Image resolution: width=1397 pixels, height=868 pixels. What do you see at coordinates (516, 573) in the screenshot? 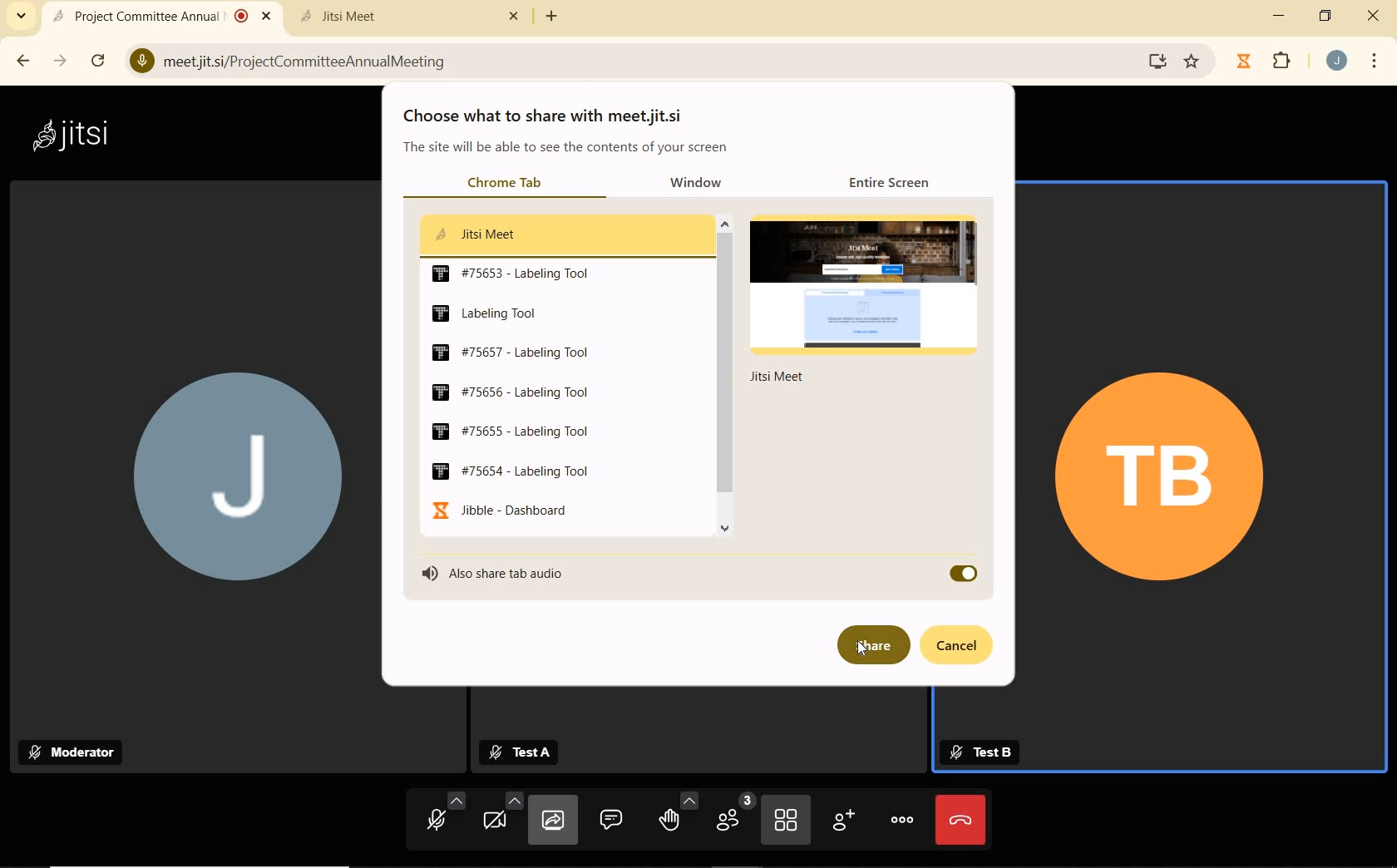
I see `ALSO SHARE TAB AUDIO` at bounding box center [516, 573].